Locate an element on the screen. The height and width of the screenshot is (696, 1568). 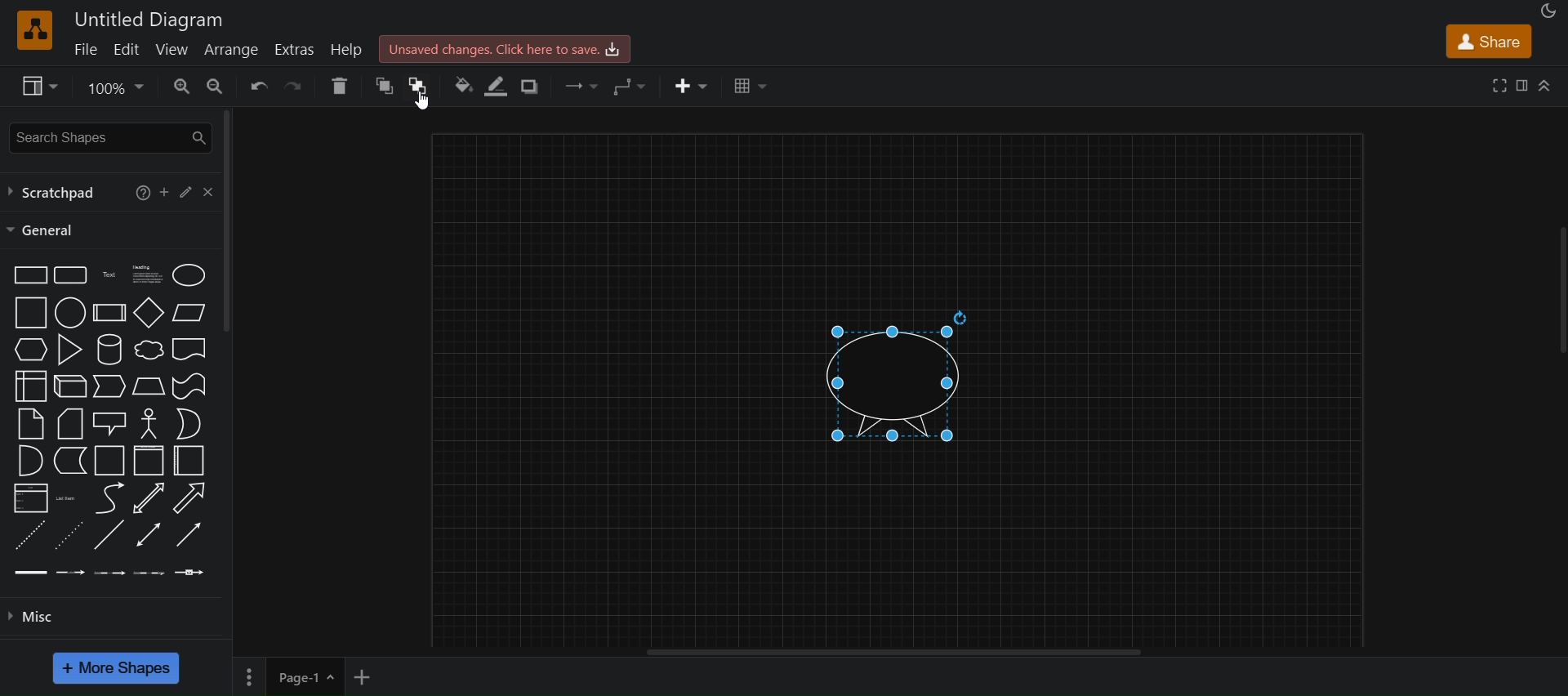
data storage is located at coordinates (69, 459).